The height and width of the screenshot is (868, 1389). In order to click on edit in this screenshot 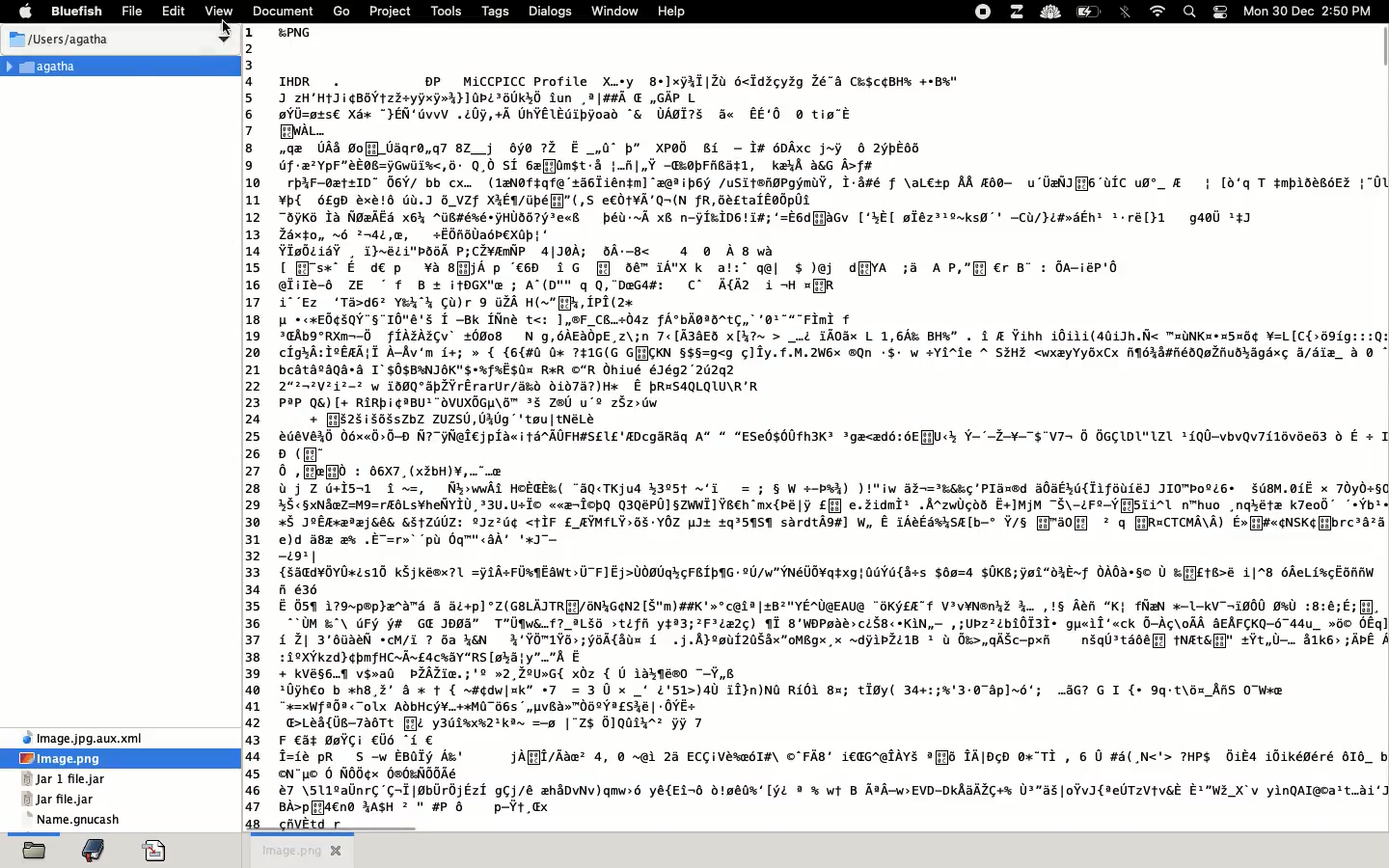, I will do `click(173, 10)`.